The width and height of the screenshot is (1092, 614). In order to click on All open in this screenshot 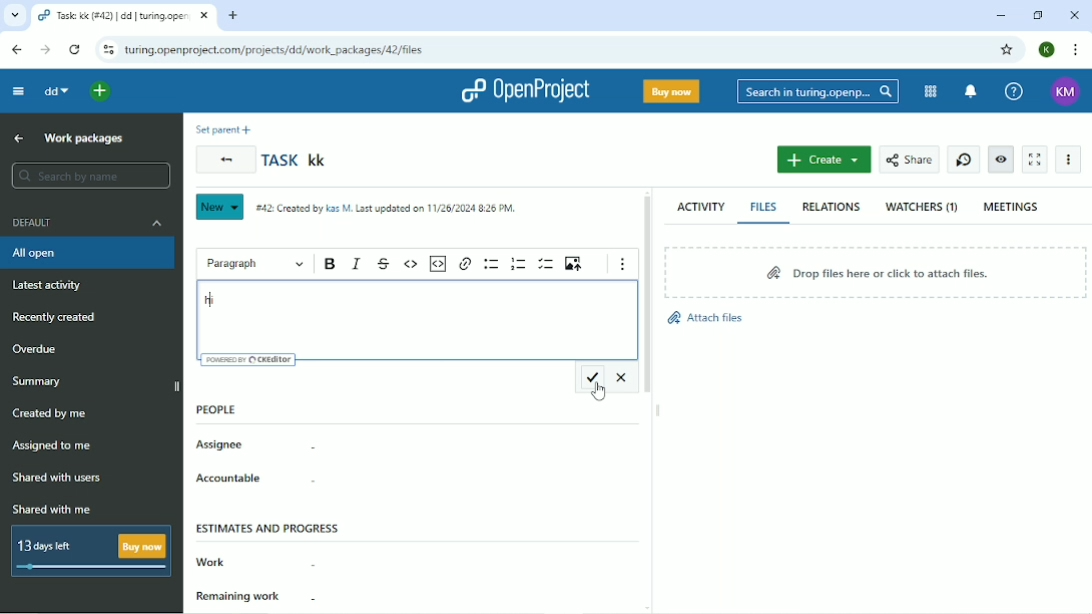, I will do `click(91, 253)`.